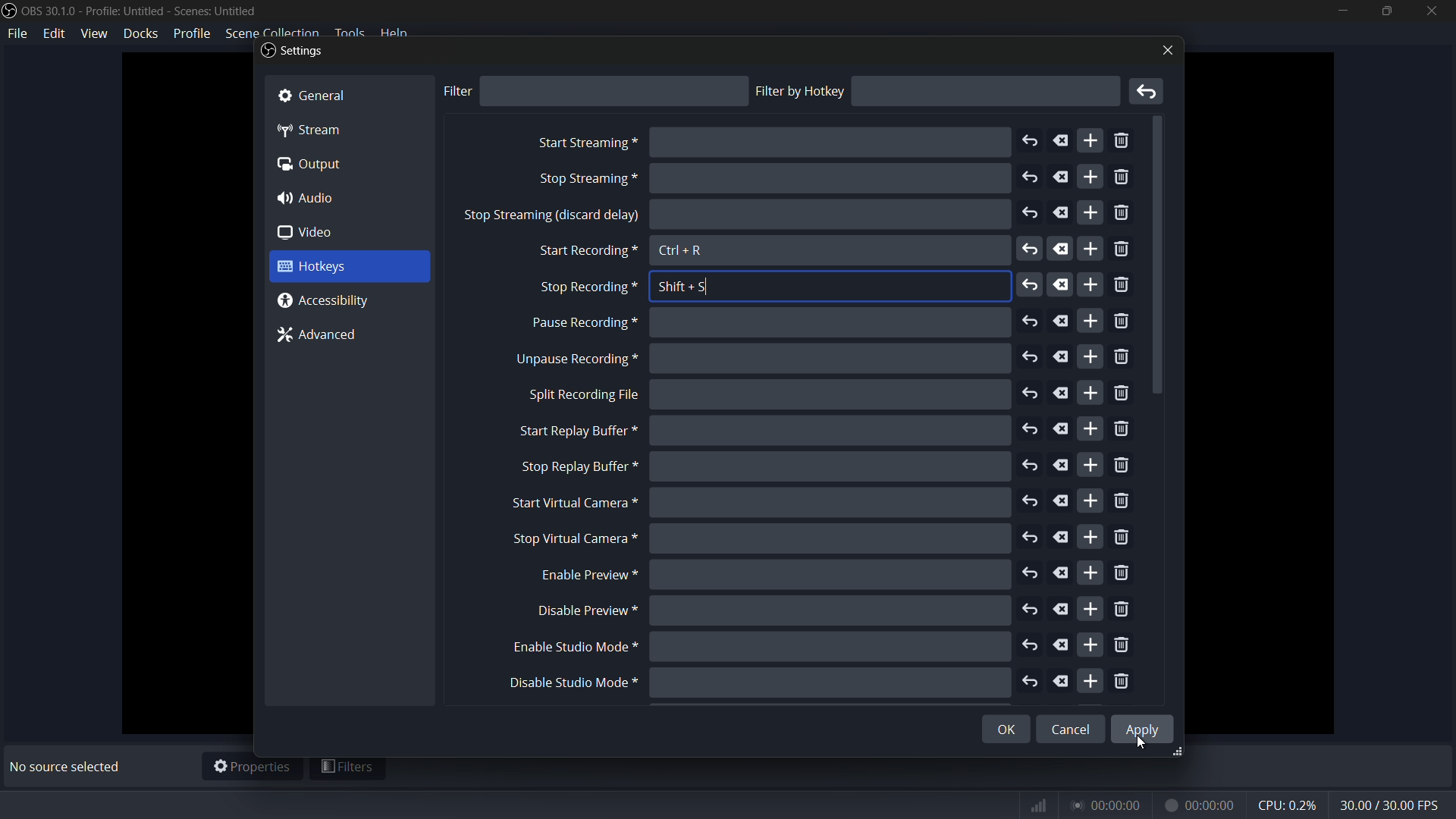 The image size is (1456, 819). I want to click on filter by hotkey, so click(800, 91).